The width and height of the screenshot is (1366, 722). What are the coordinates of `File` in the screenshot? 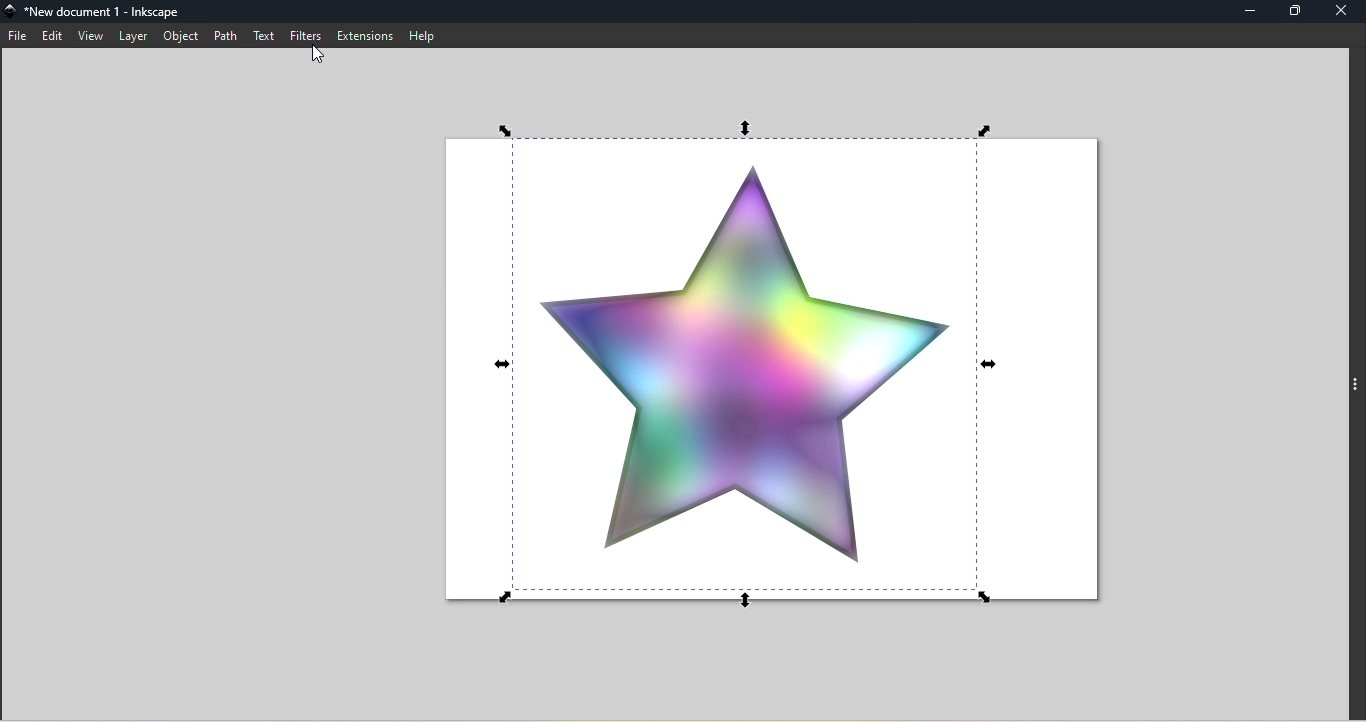 It's located at (17, 37).